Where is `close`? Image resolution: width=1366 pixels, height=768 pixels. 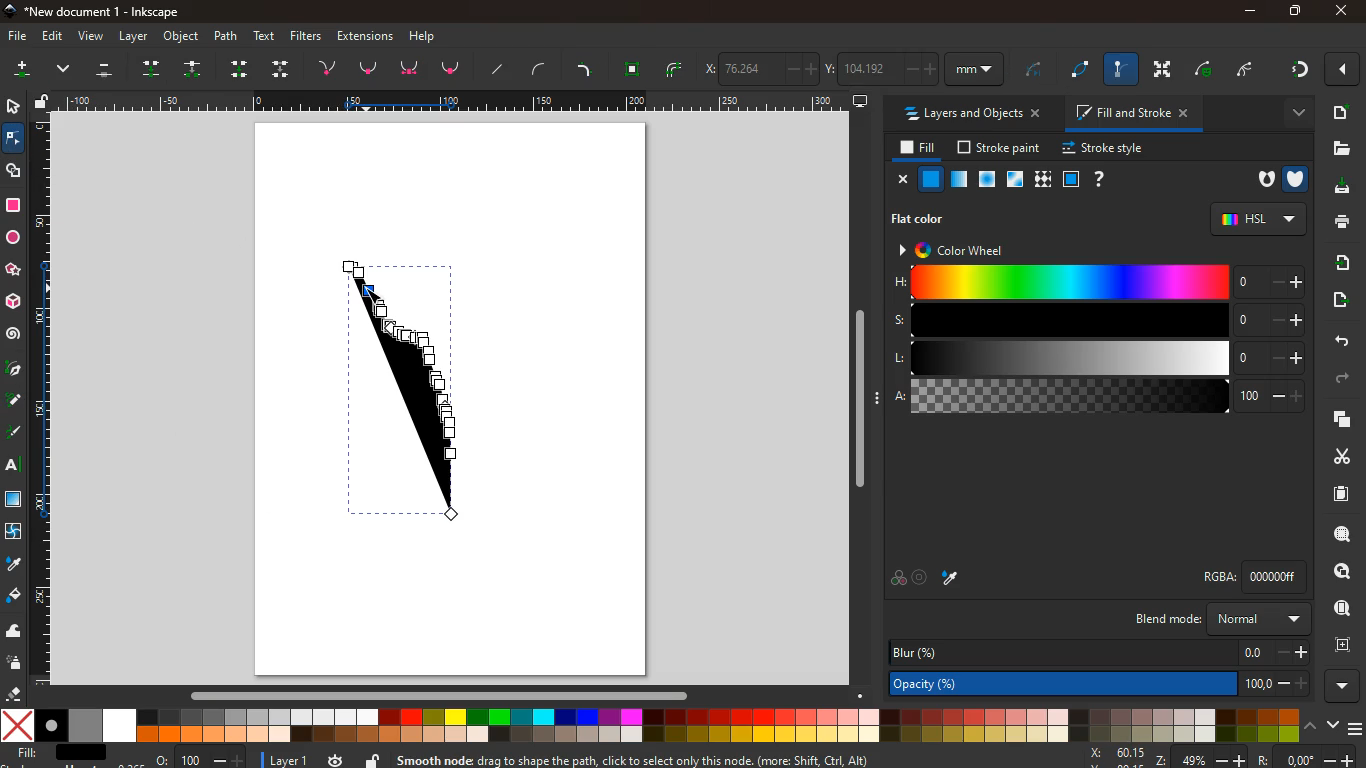
close is located at coordinates (1345, 70).